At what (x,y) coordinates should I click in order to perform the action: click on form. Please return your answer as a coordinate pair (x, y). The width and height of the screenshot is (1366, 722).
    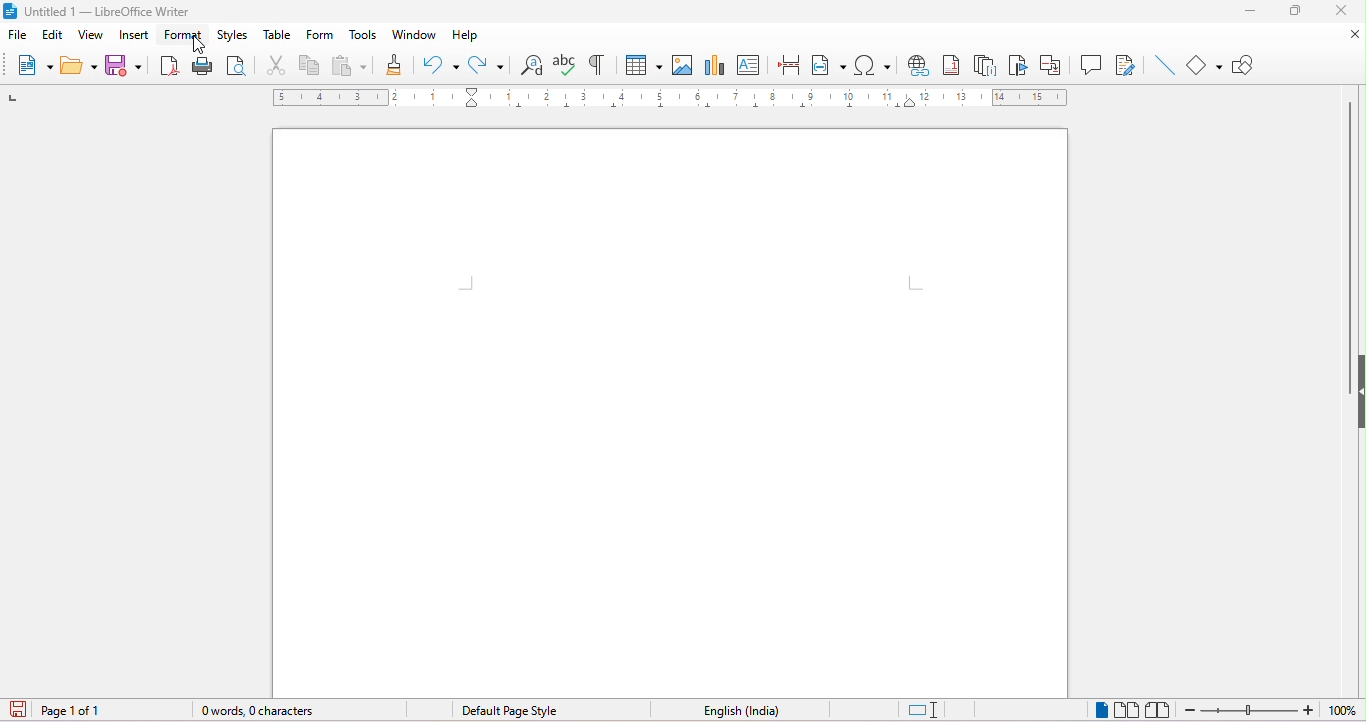
    Looking at the image, I should click on (318, 37).